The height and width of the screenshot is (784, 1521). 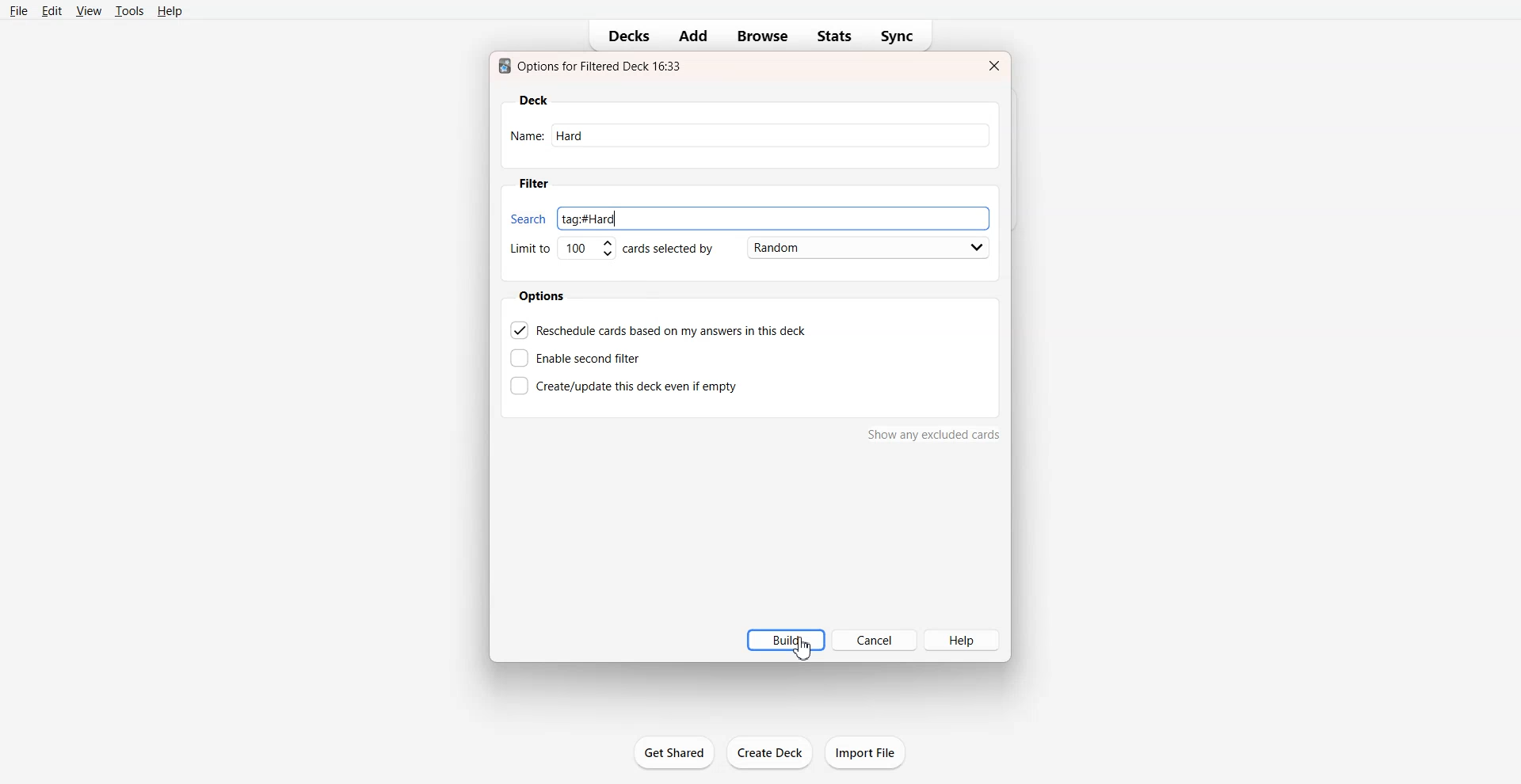 I want to click on Cursor, so click(x=807, y=652).